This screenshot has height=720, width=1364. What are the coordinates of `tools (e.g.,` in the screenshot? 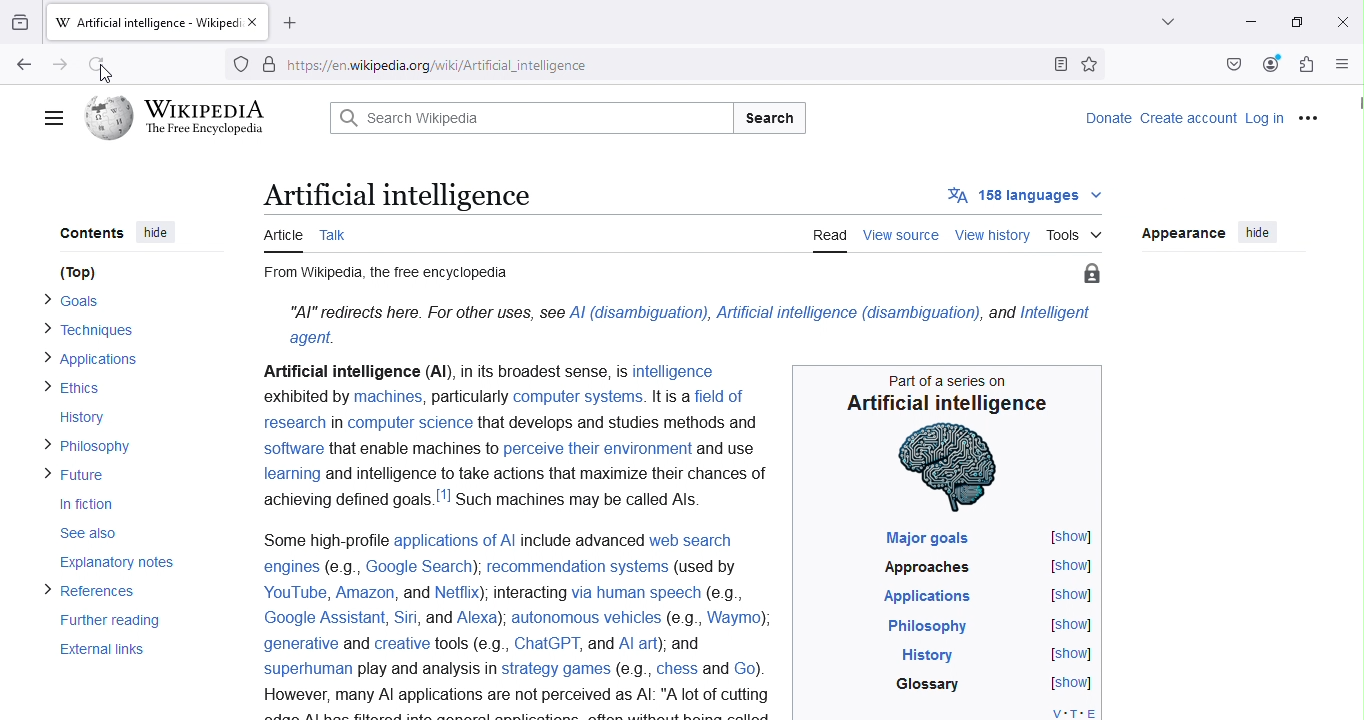 It's located at (470, 645).